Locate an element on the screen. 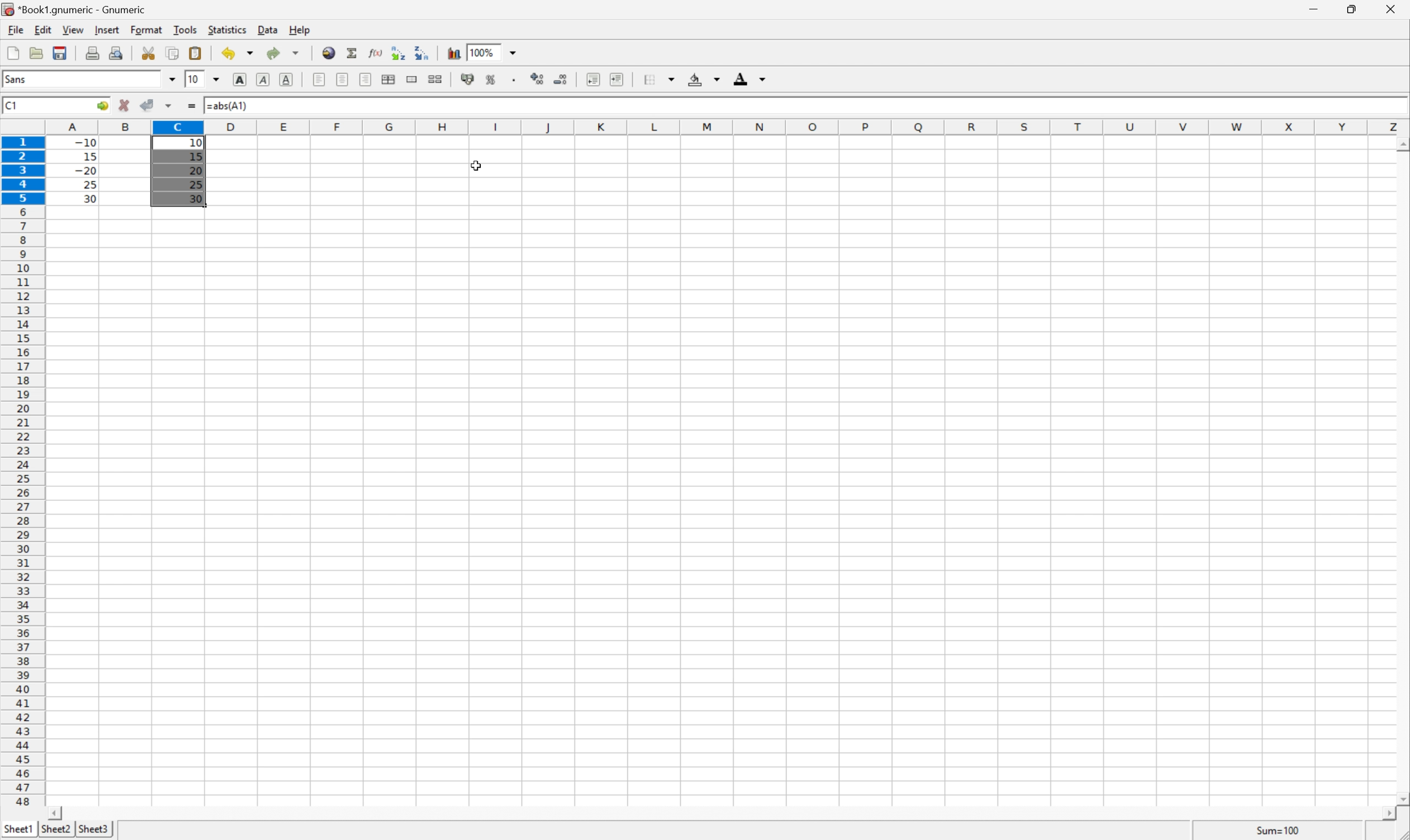 This screenshot has height=840, width=1410. Drop Down is located at coordinates (218, 78).